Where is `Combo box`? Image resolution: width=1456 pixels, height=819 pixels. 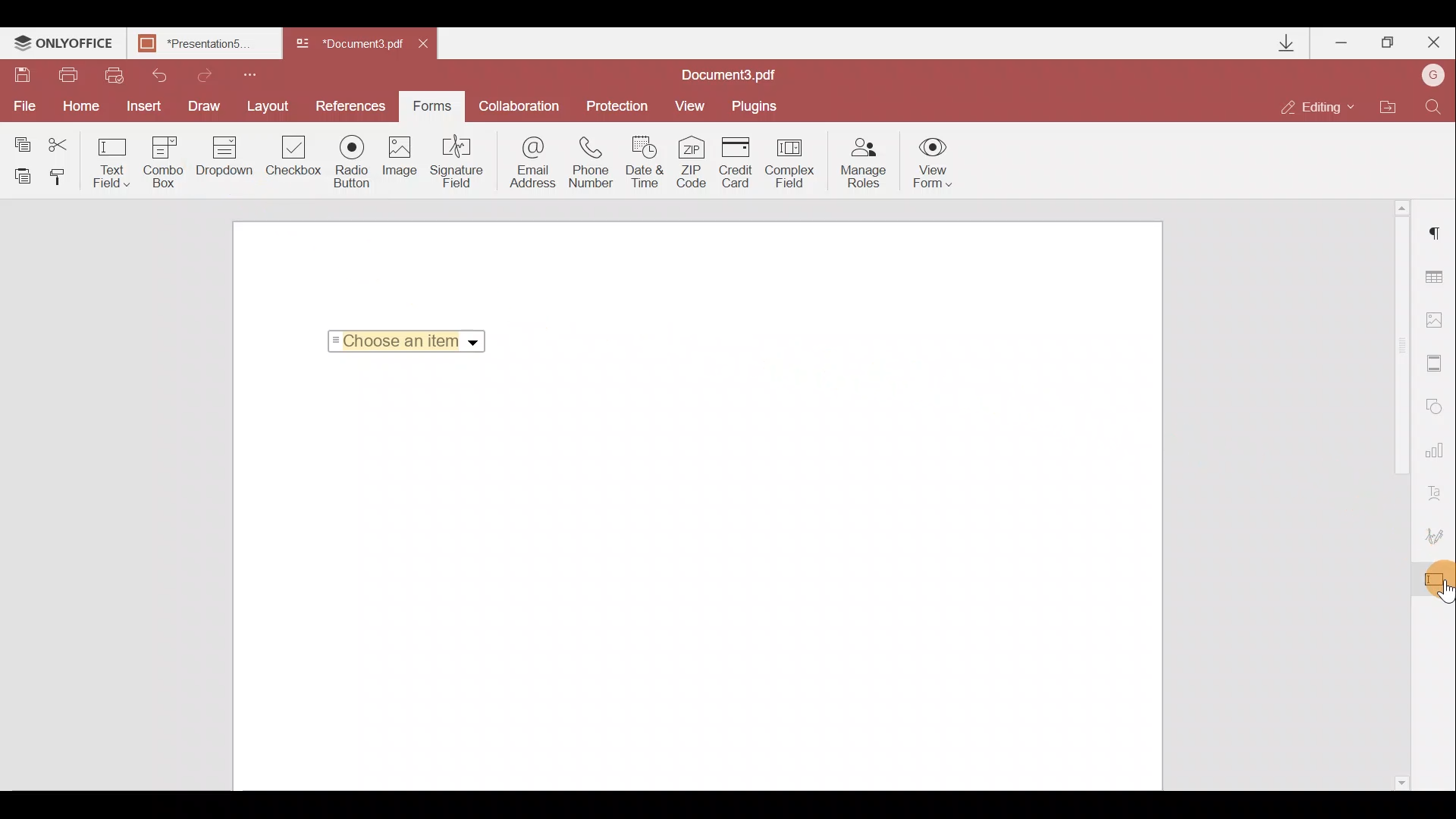 Combo box is located at coordinates (162, 162).